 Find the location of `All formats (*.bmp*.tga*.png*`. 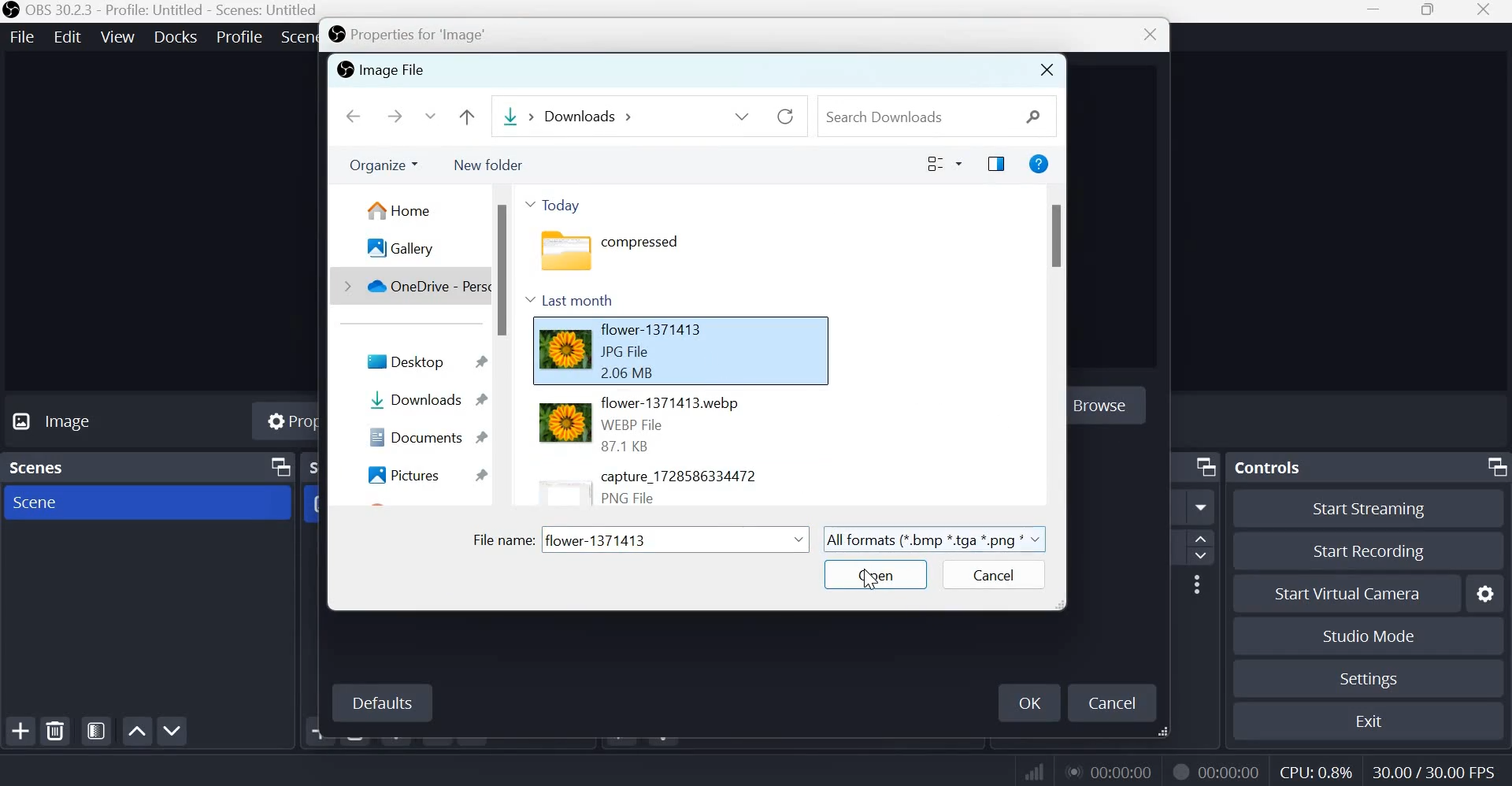

All formats (*.bmp*.tga*.png* is located at coordinates (932, 537).